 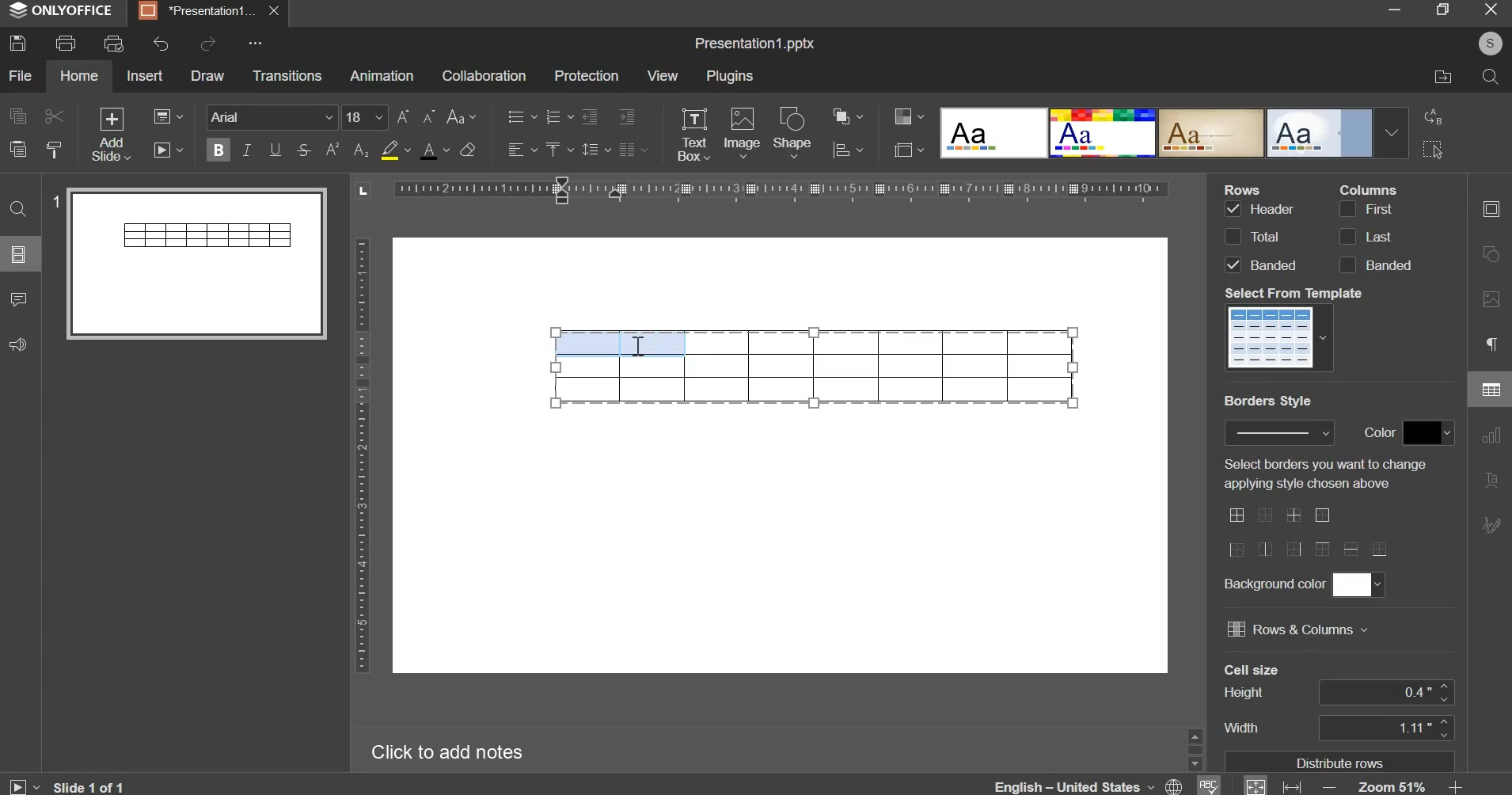 I want to click on draw, so click(x=208, y=75).